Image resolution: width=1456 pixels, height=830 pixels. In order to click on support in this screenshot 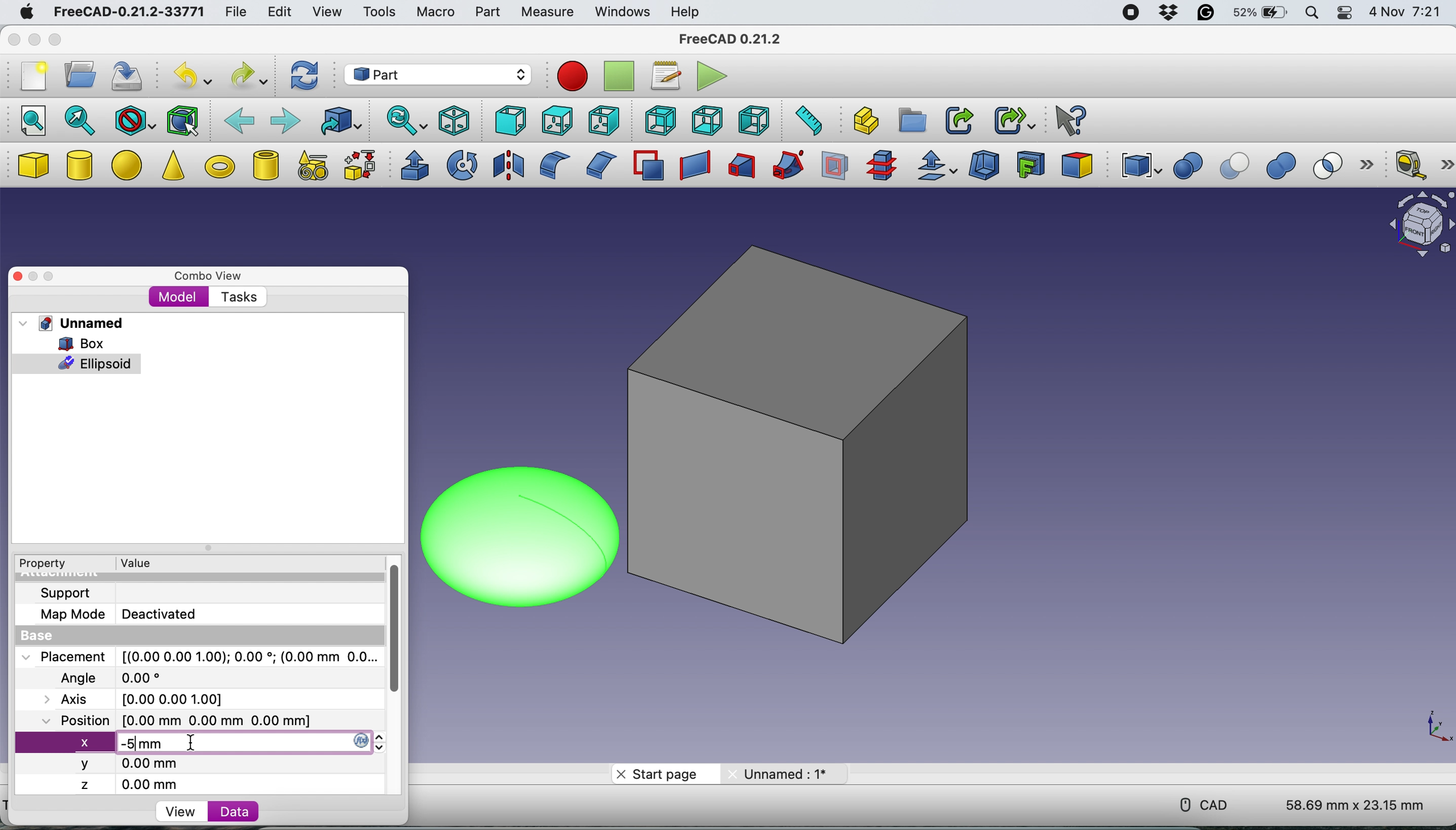, I will do `click(63, 593)`.